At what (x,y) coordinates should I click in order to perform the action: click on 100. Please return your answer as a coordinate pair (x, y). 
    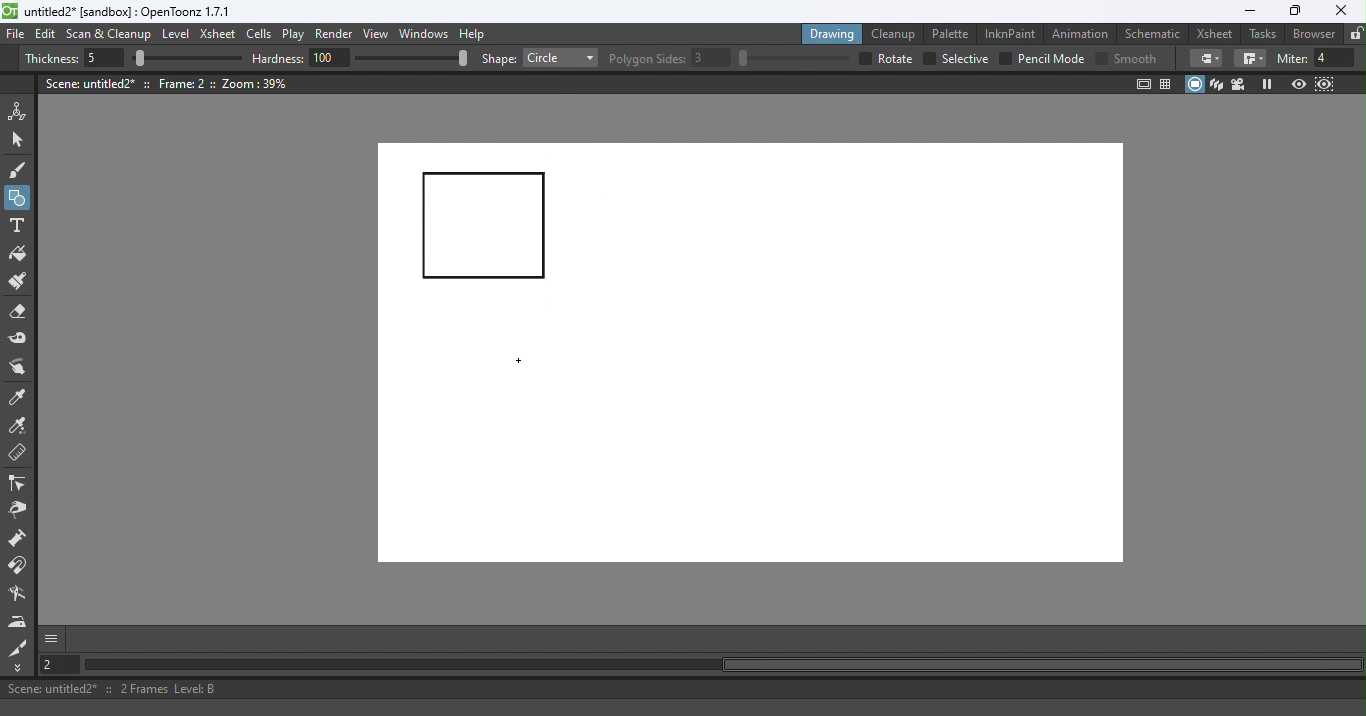
    Looking at the image, I should click on (330, 57).